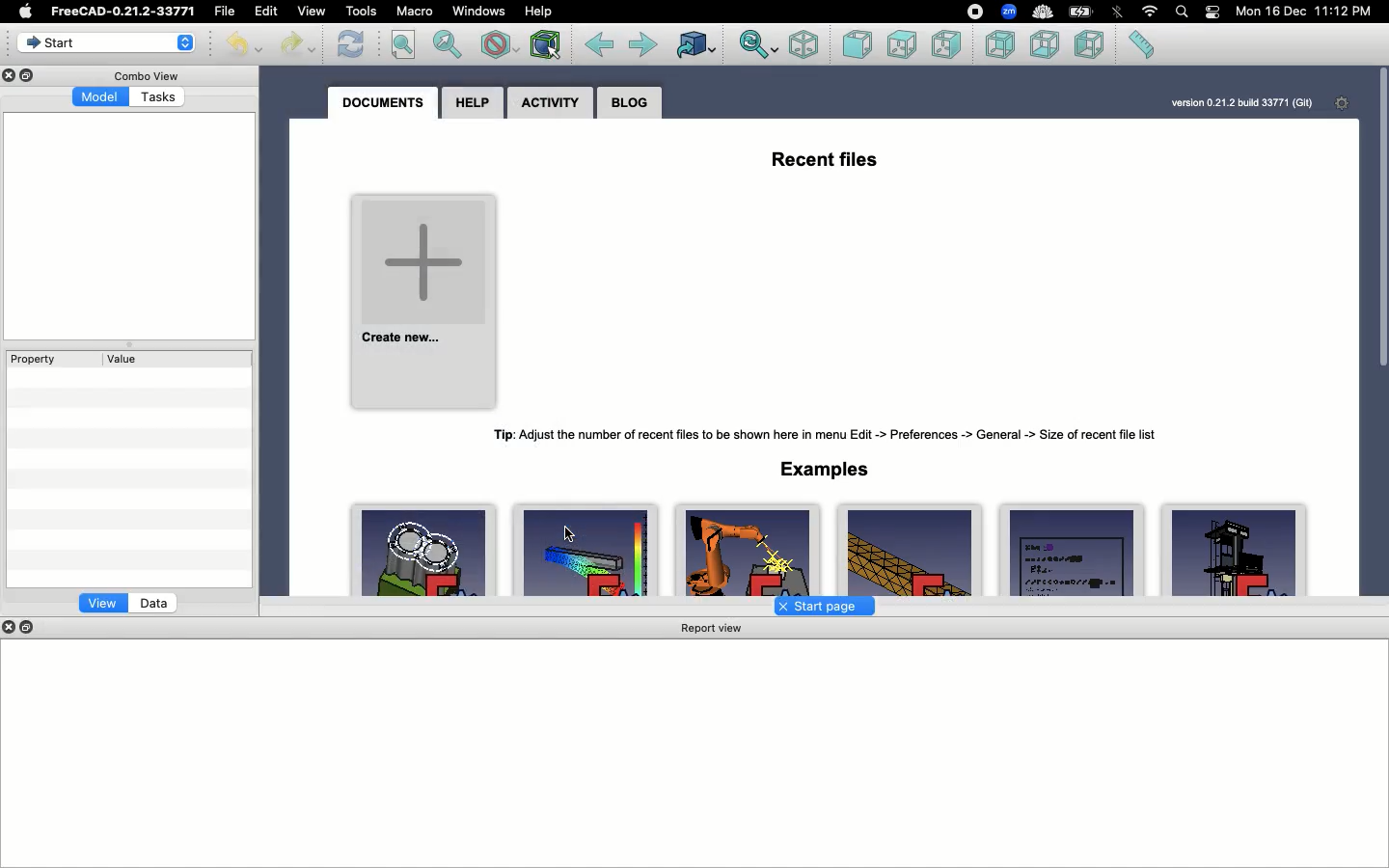 The image size is (1389, 868). Describe the element at coordinates (1380, 331) in the screenshot. I see `Scroll` at that location.